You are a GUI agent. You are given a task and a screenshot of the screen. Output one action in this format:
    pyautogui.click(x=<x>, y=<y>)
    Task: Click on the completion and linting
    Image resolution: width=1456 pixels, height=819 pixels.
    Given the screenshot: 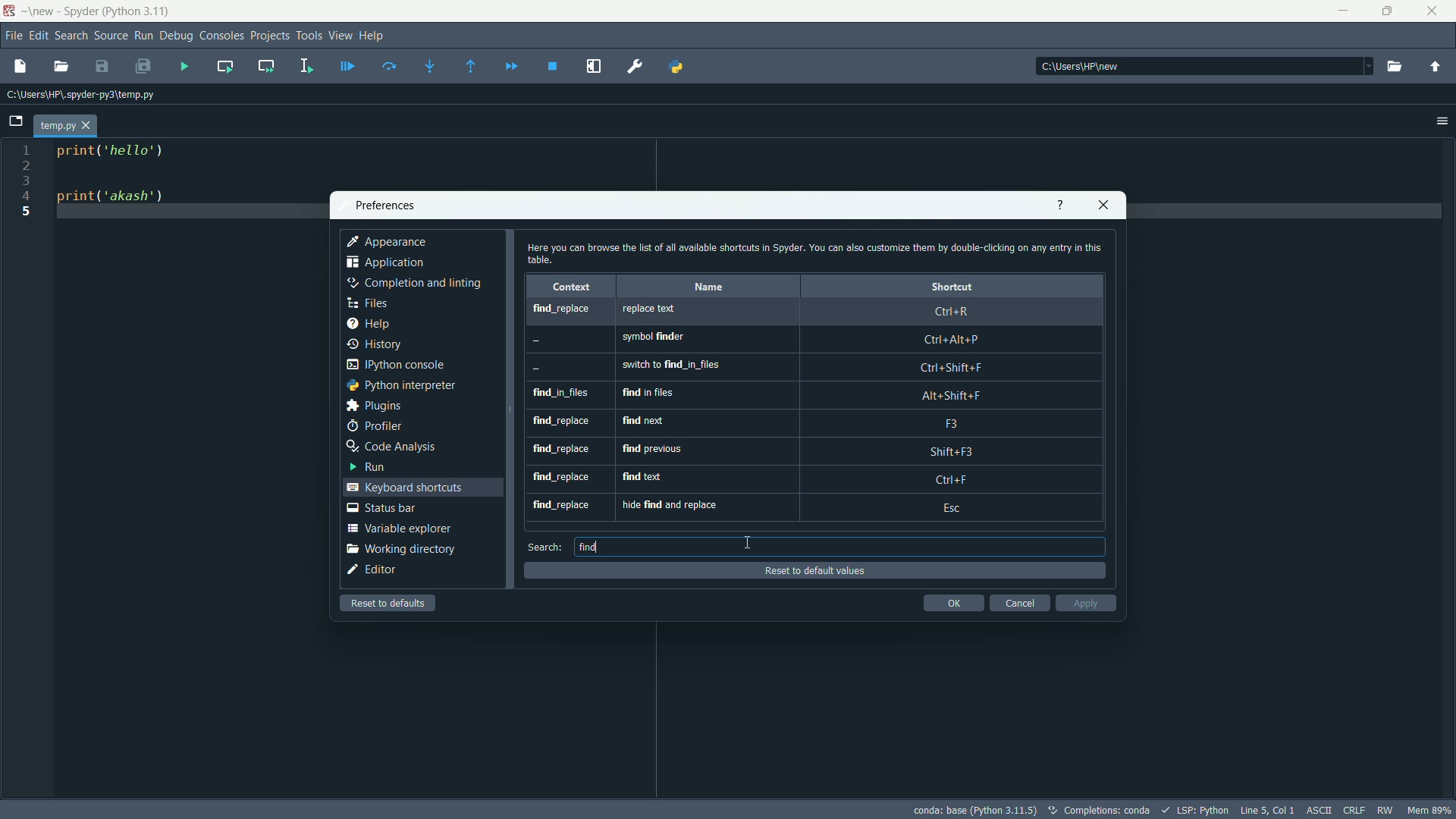 What is the action you would take?
    pyautogui.click(x=416, y=284)
    